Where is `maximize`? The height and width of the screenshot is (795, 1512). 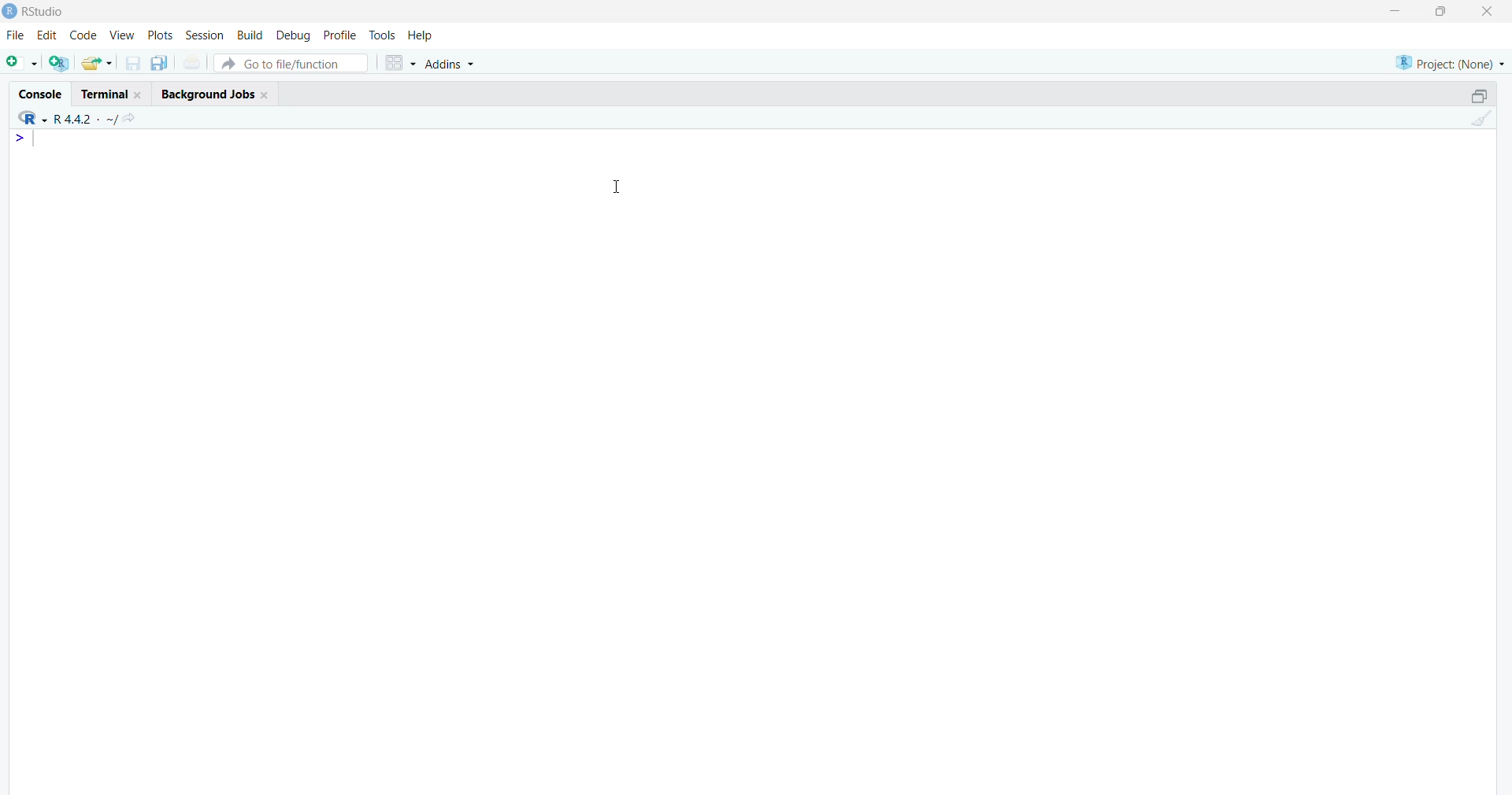 maximize is located at coordinates (1440, 11).